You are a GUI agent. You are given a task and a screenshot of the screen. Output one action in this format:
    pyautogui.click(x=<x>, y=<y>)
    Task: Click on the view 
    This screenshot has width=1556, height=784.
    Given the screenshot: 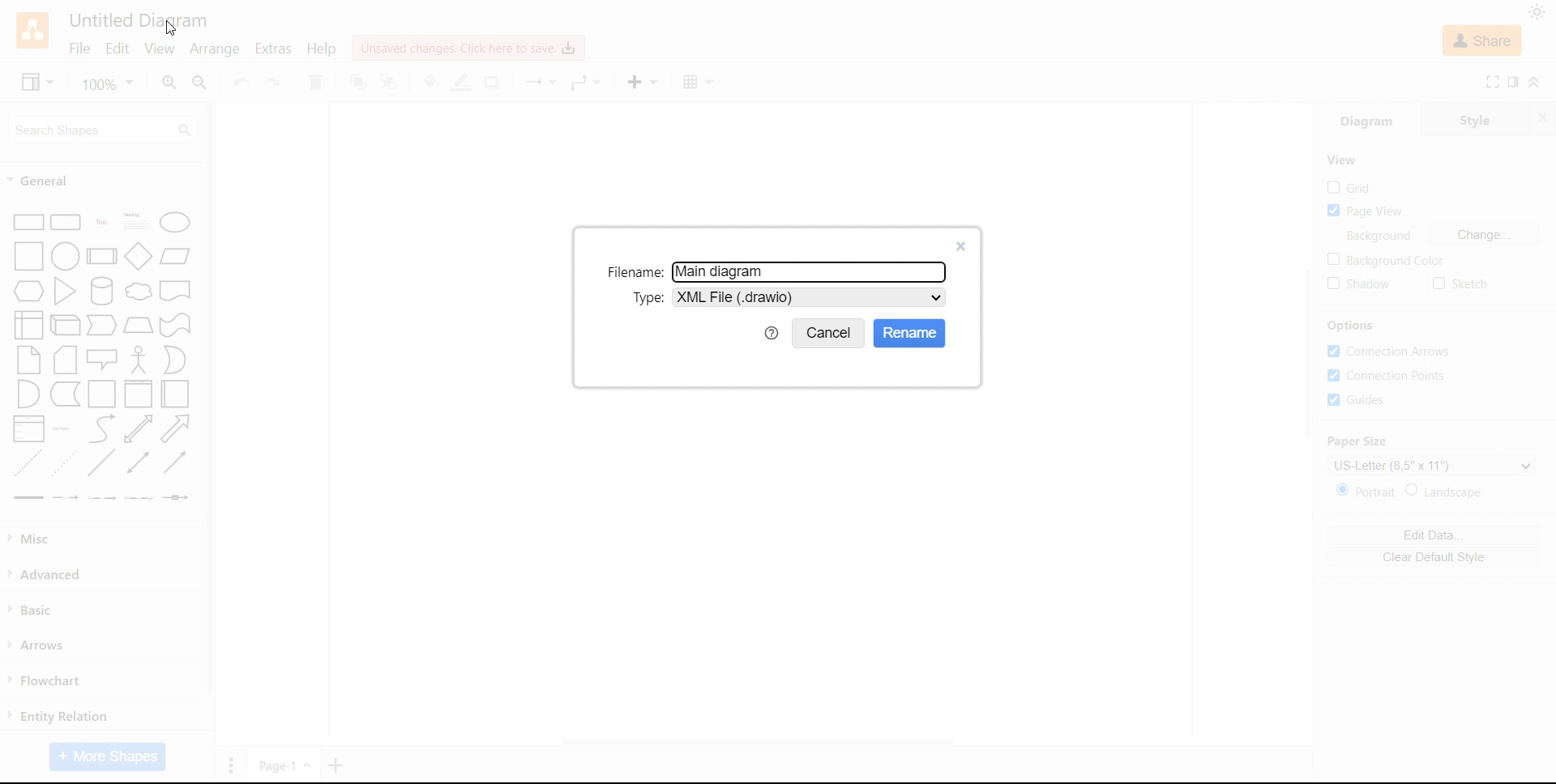 What is the action you would take?
    pyautogui.click(x=37, y=81)
    